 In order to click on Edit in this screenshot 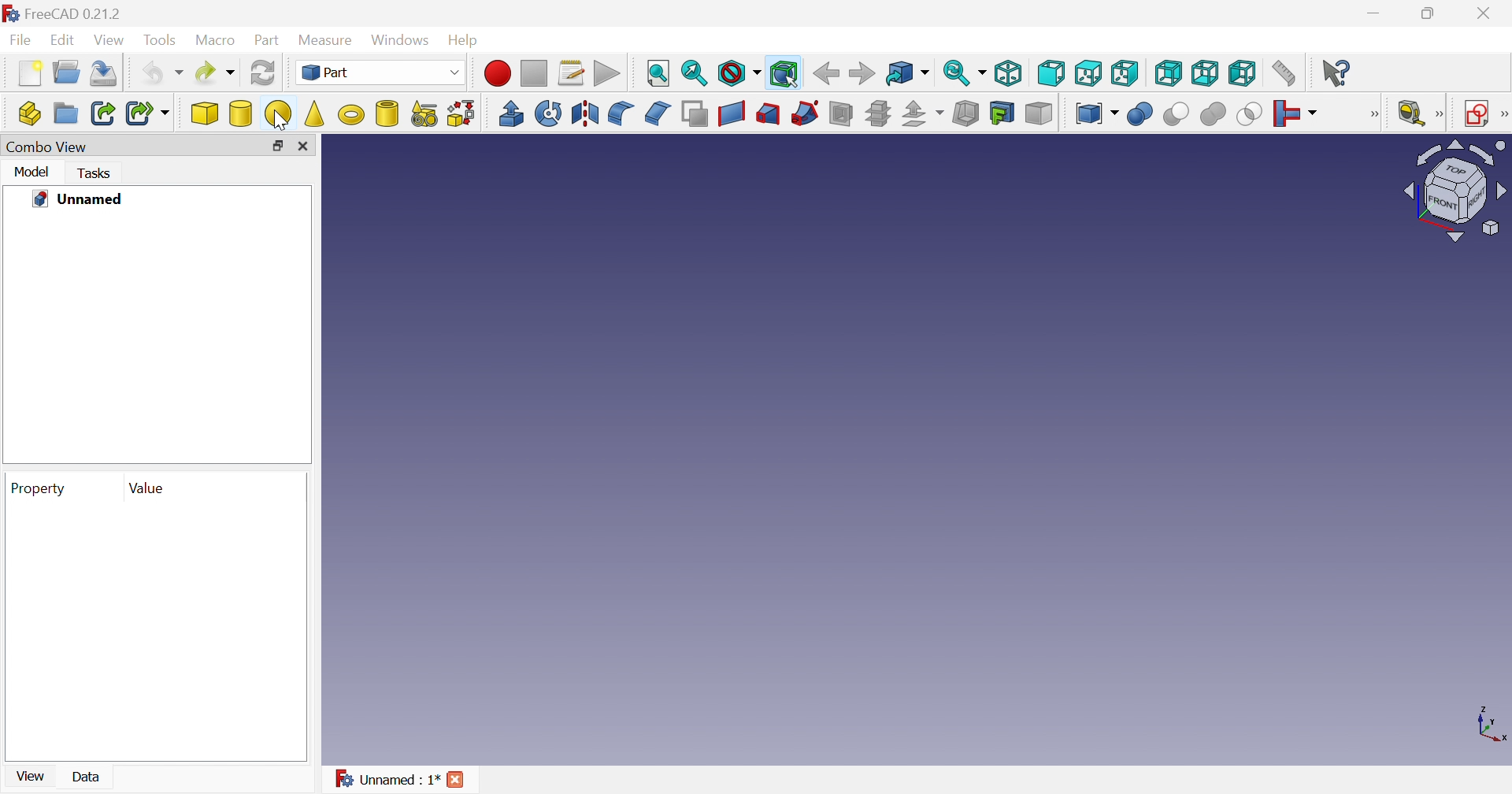, I will do `click(64, 39)`.